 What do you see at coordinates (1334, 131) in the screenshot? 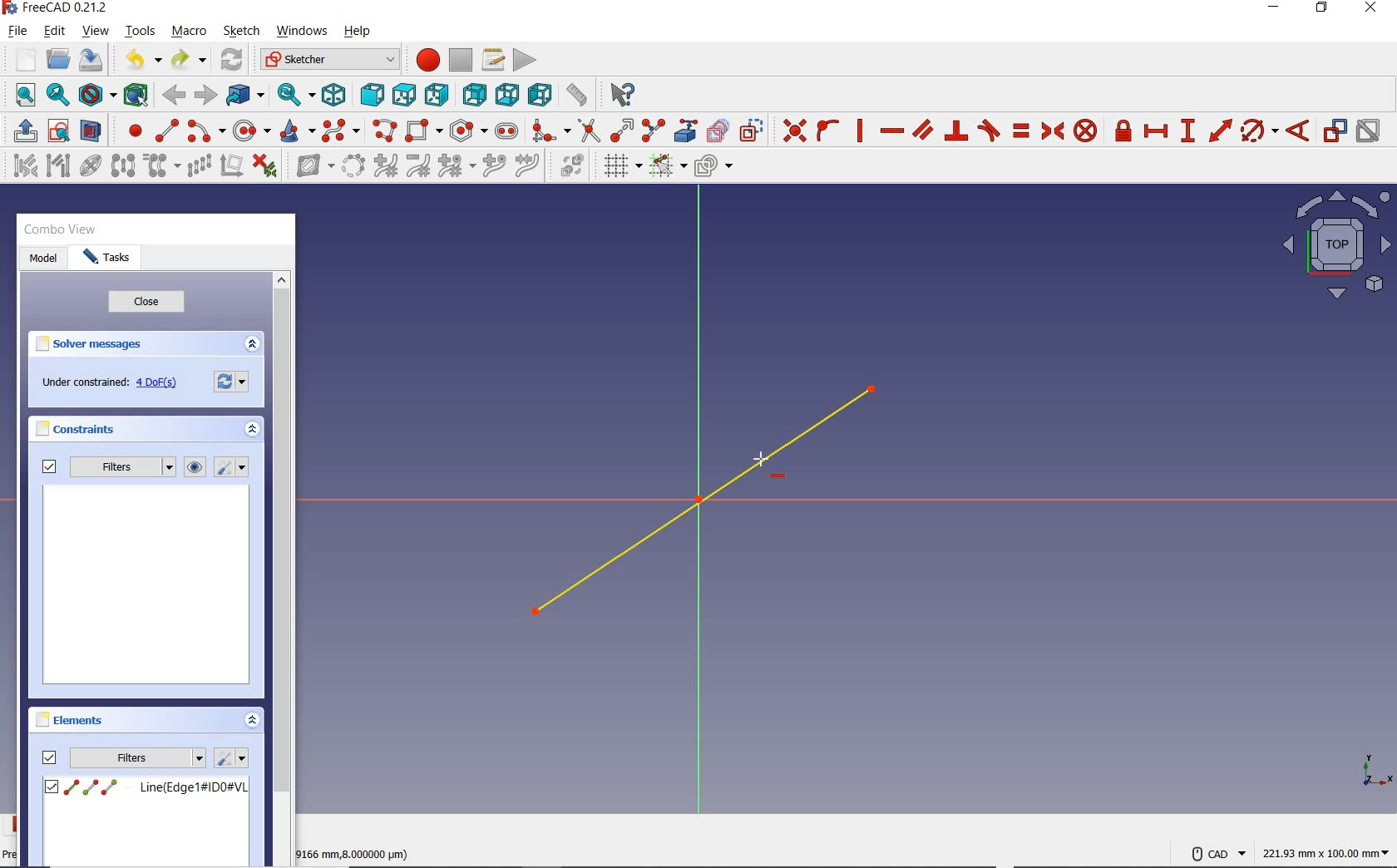
I see `TOGGLE DRIVING/REFERENCE CONSTRAINT` at bounding box center [1334, 131].